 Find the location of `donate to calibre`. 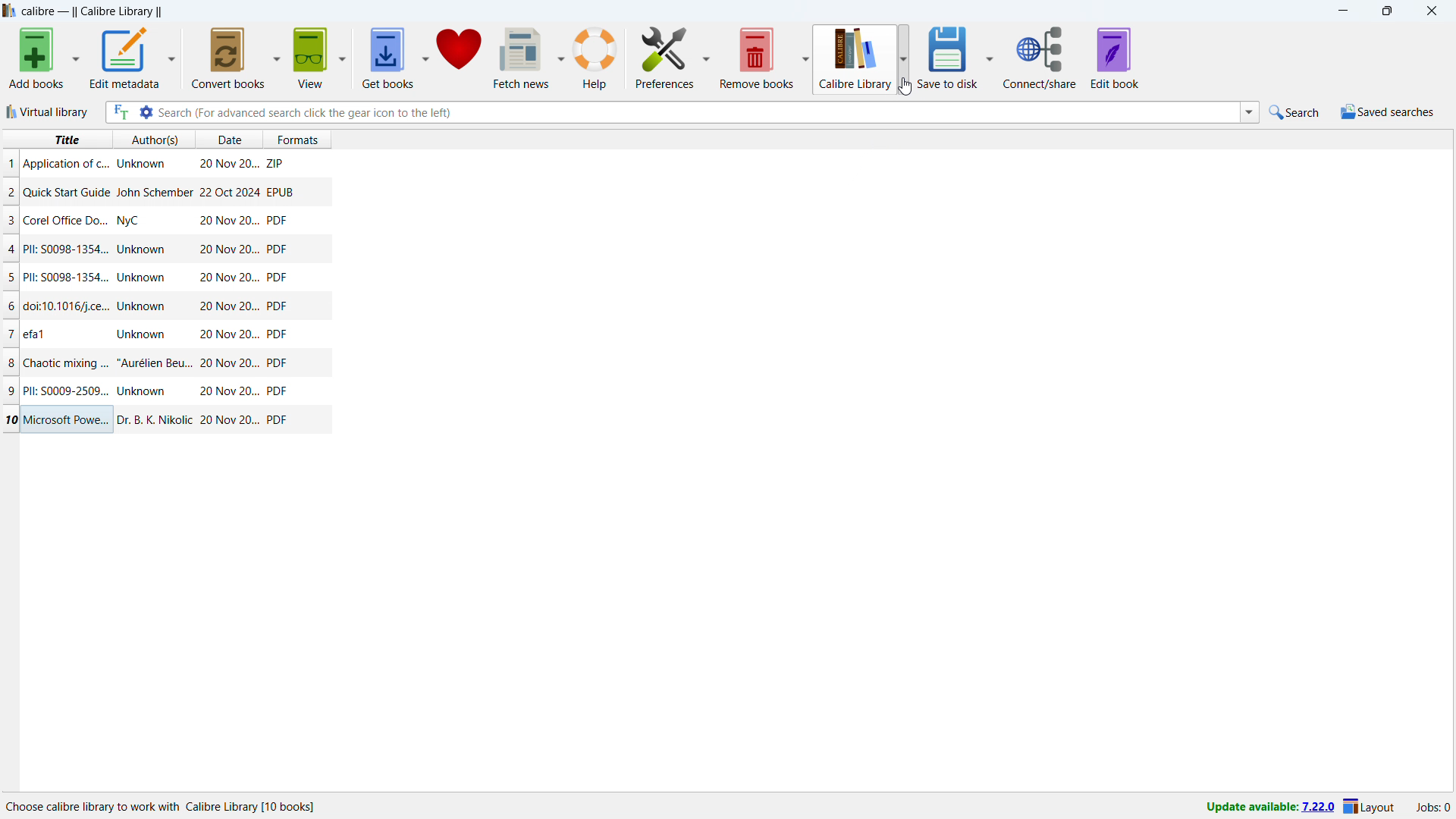

donate to calibre is located at coordinates (460, 57).